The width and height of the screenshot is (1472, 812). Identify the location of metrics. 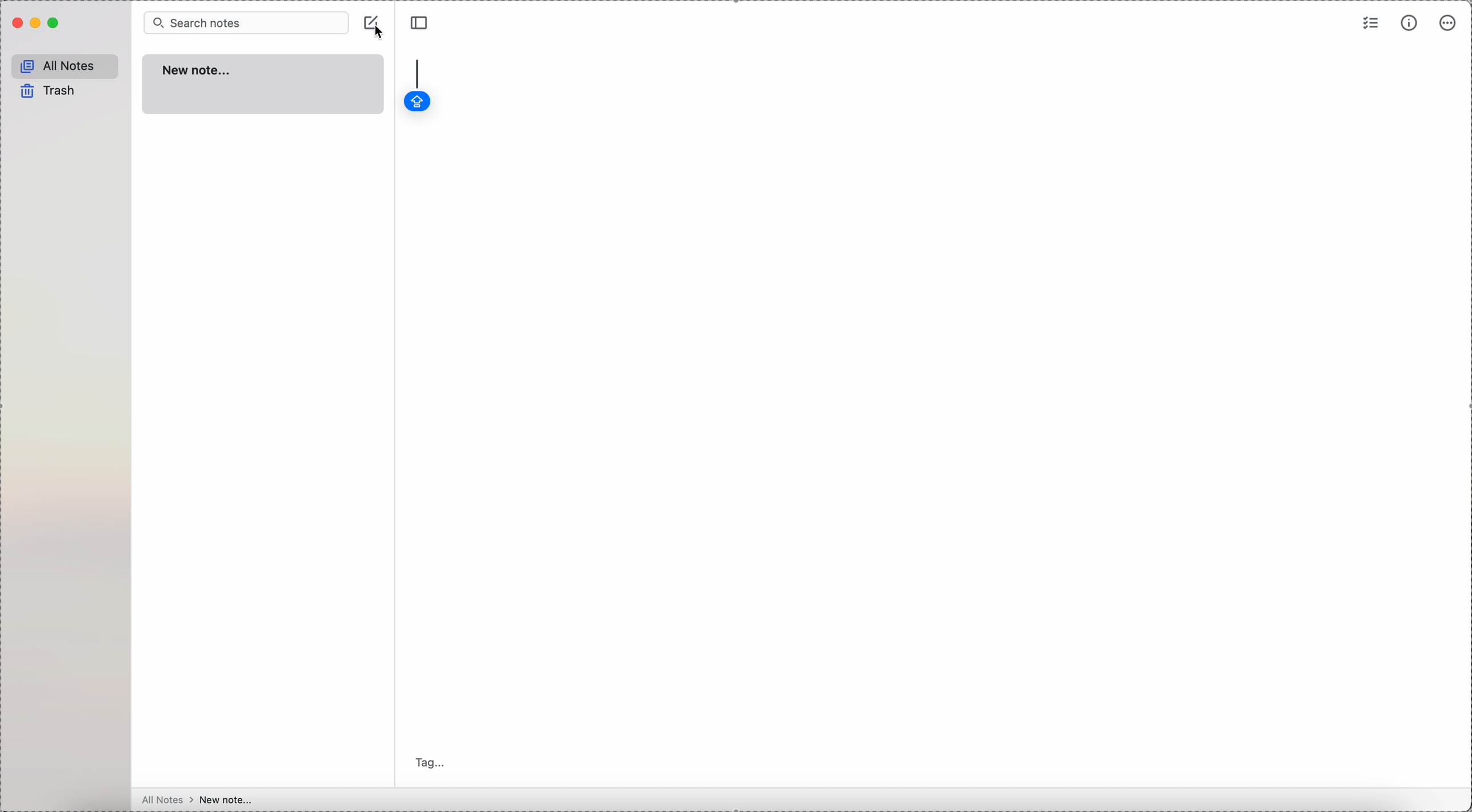
(1409, 25).